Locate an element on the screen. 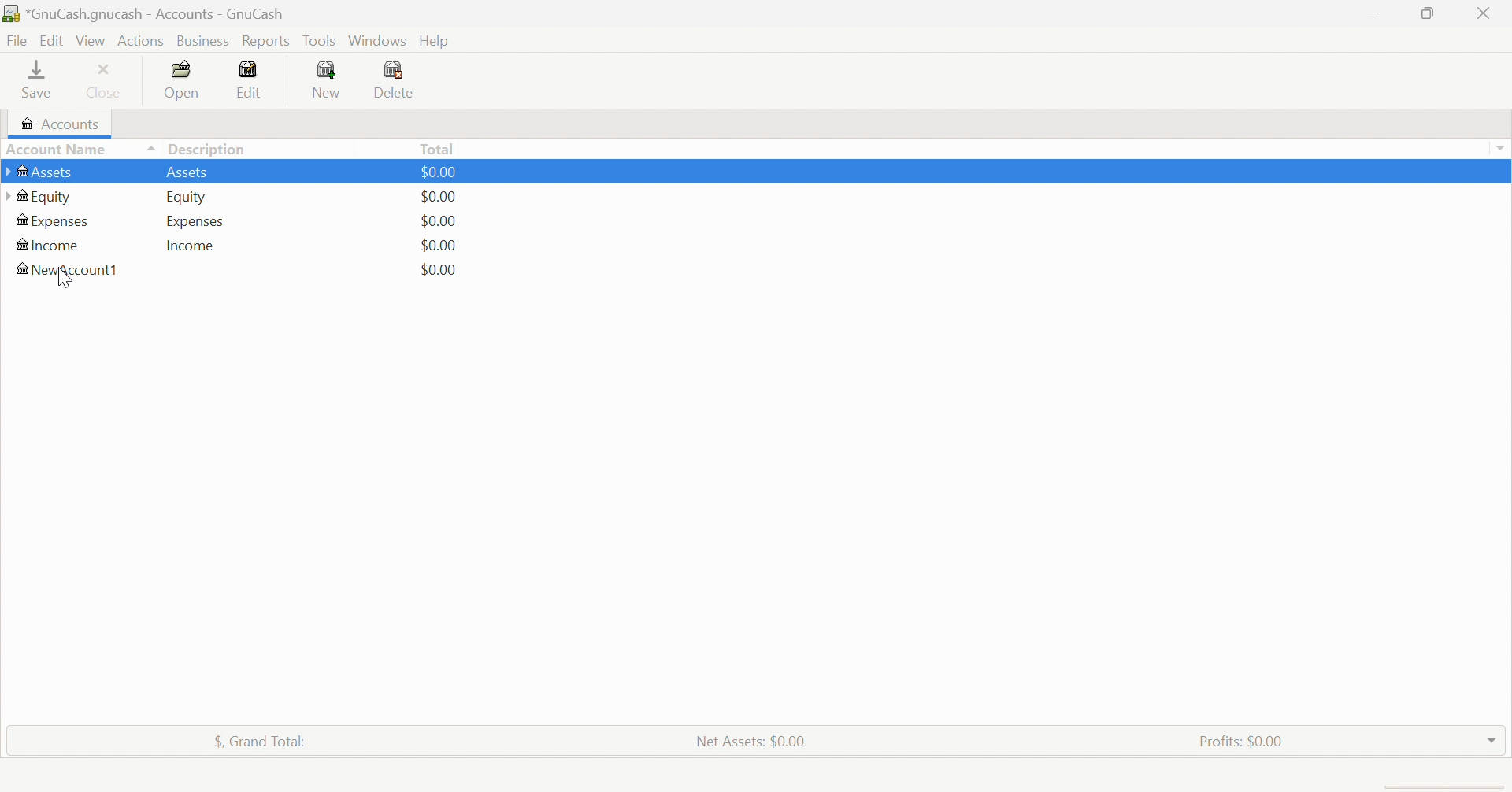 Image resolution: width=1512 pixels, height=792 pixels. Delete is located at coordinates (405, 80).